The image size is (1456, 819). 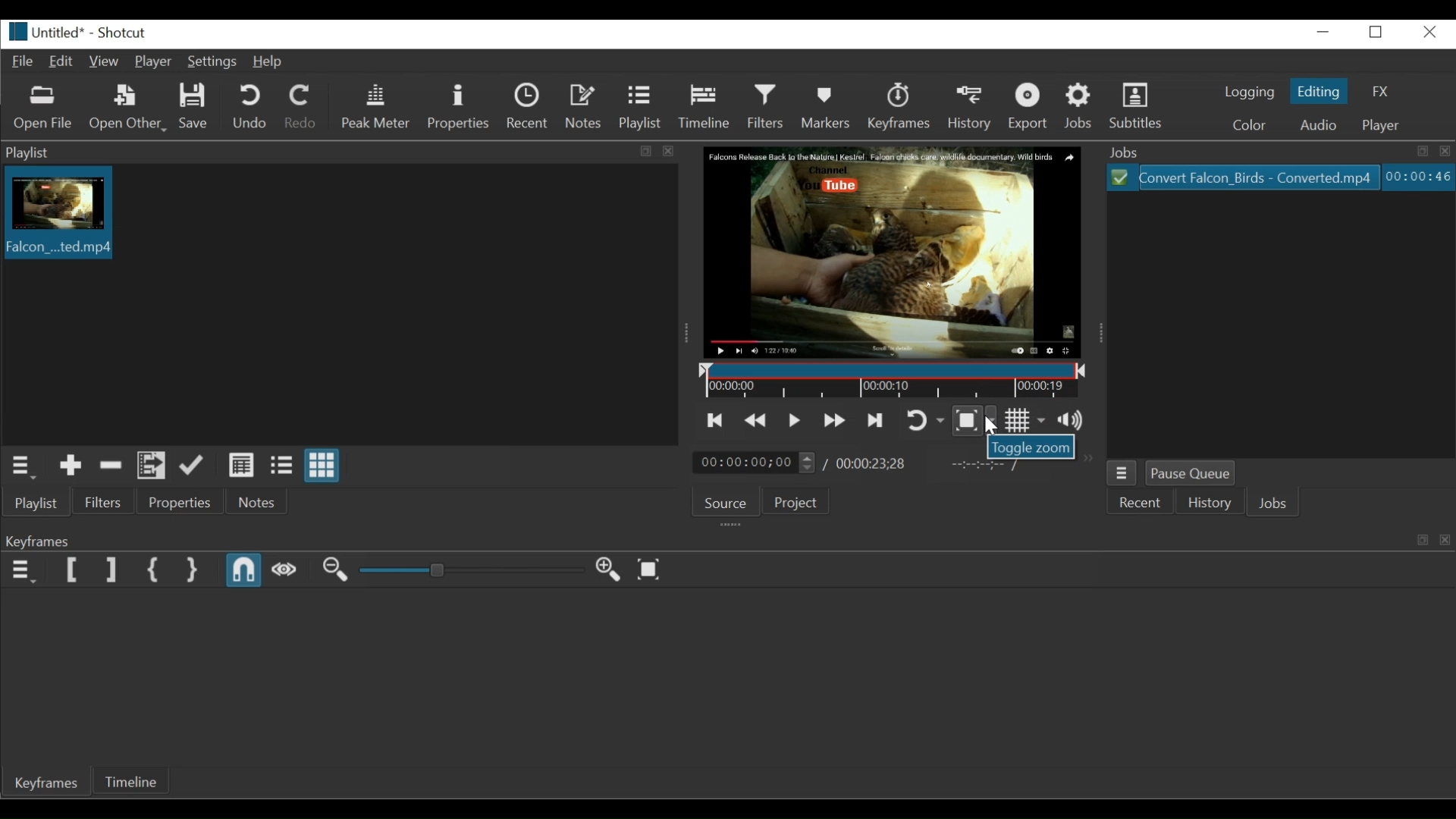 I want to click on Jobs Panel, so click(x=1275, y=152).